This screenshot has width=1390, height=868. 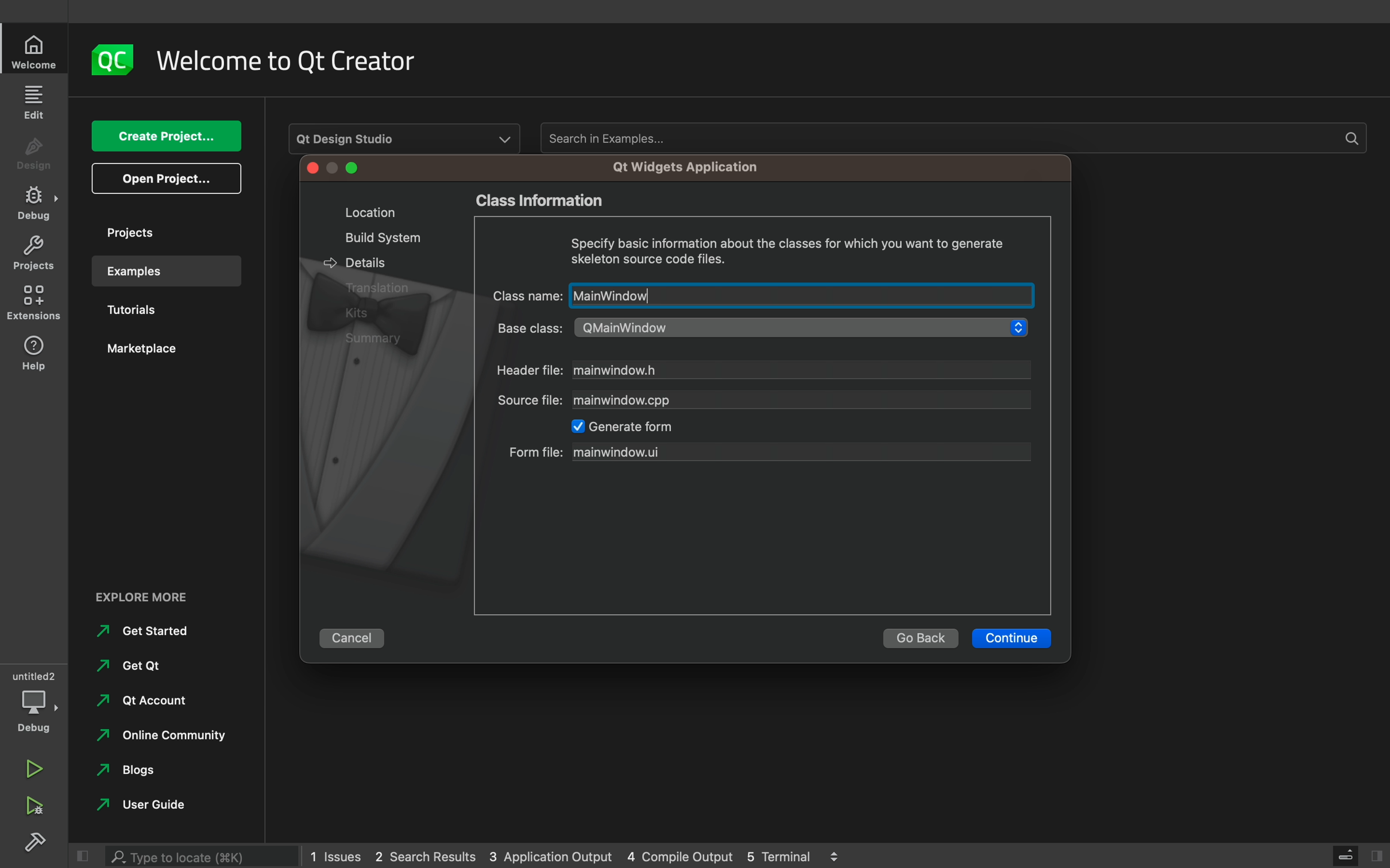 I want to click on details tab, so click(x=361, y=261).